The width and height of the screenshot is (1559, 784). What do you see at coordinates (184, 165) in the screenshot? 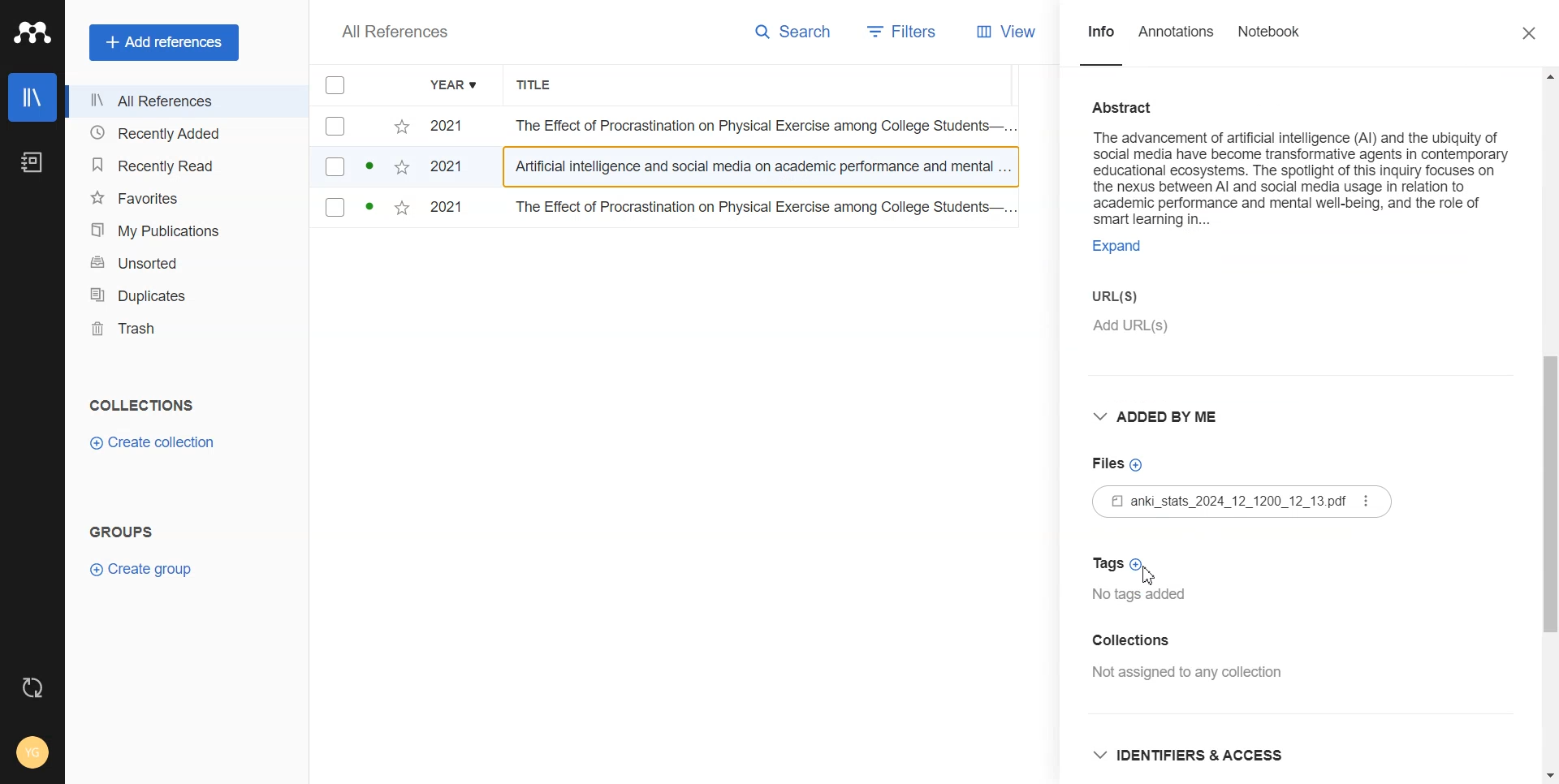
I see `Recently Read` at bounding box center [184, 165].